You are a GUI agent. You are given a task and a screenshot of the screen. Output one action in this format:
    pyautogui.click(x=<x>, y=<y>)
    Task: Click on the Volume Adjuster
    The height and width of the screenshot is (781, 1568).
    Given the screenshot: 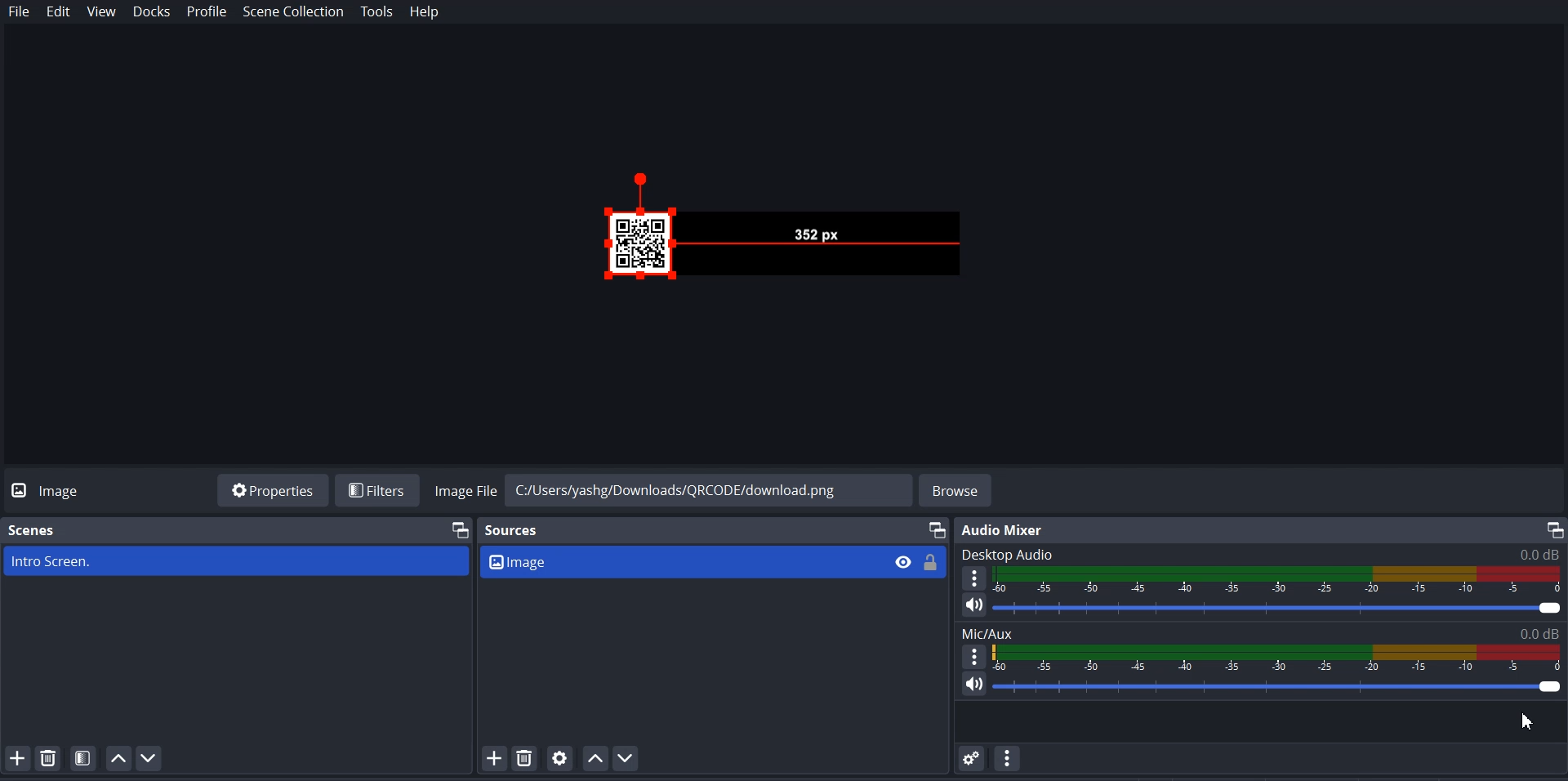 What is the action you would take?
    pyautogui.click(x=1279, y=686)
    